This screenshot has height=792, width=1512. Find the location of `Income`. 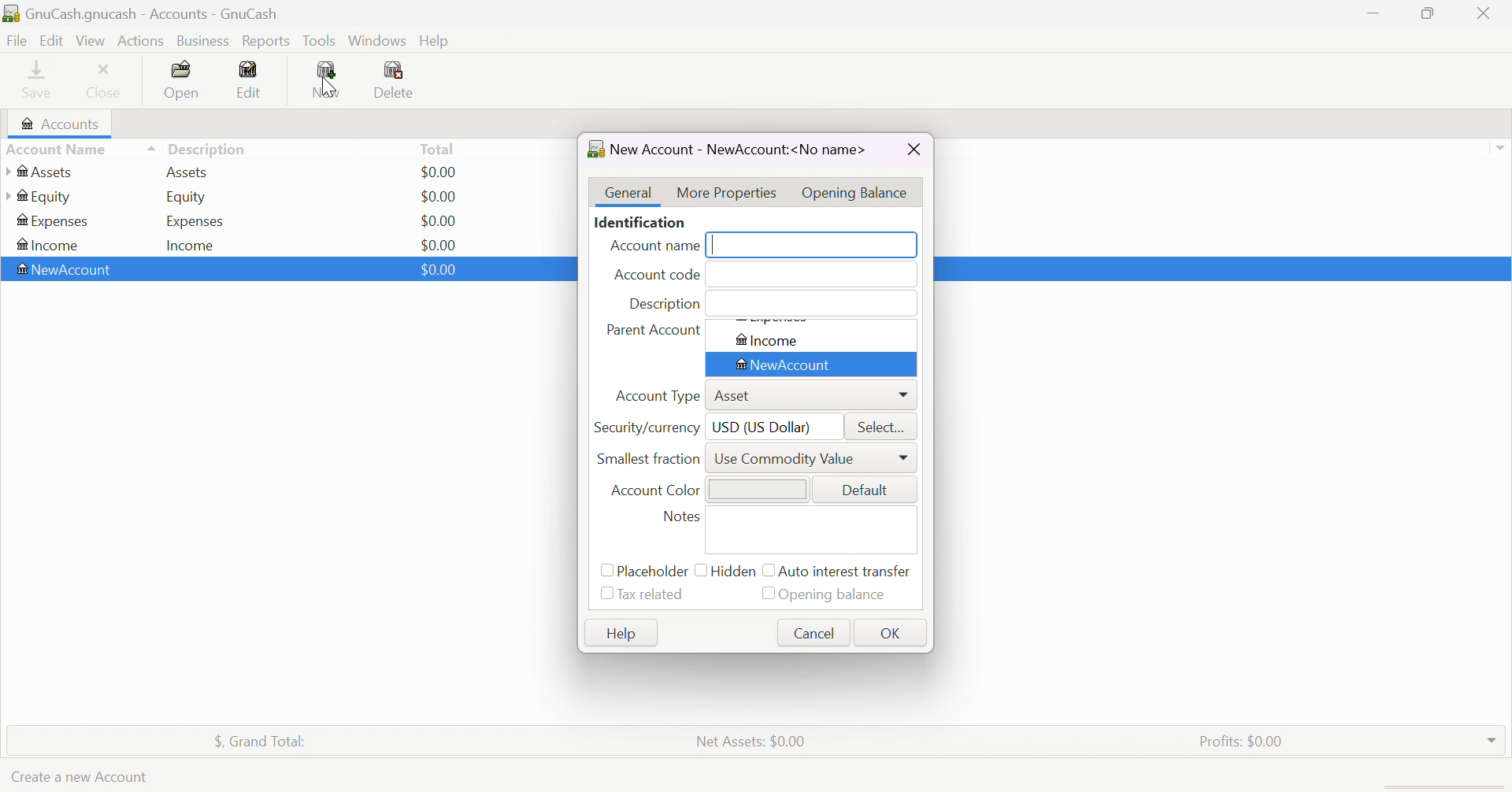

Income is located at coordinates (192, 246).